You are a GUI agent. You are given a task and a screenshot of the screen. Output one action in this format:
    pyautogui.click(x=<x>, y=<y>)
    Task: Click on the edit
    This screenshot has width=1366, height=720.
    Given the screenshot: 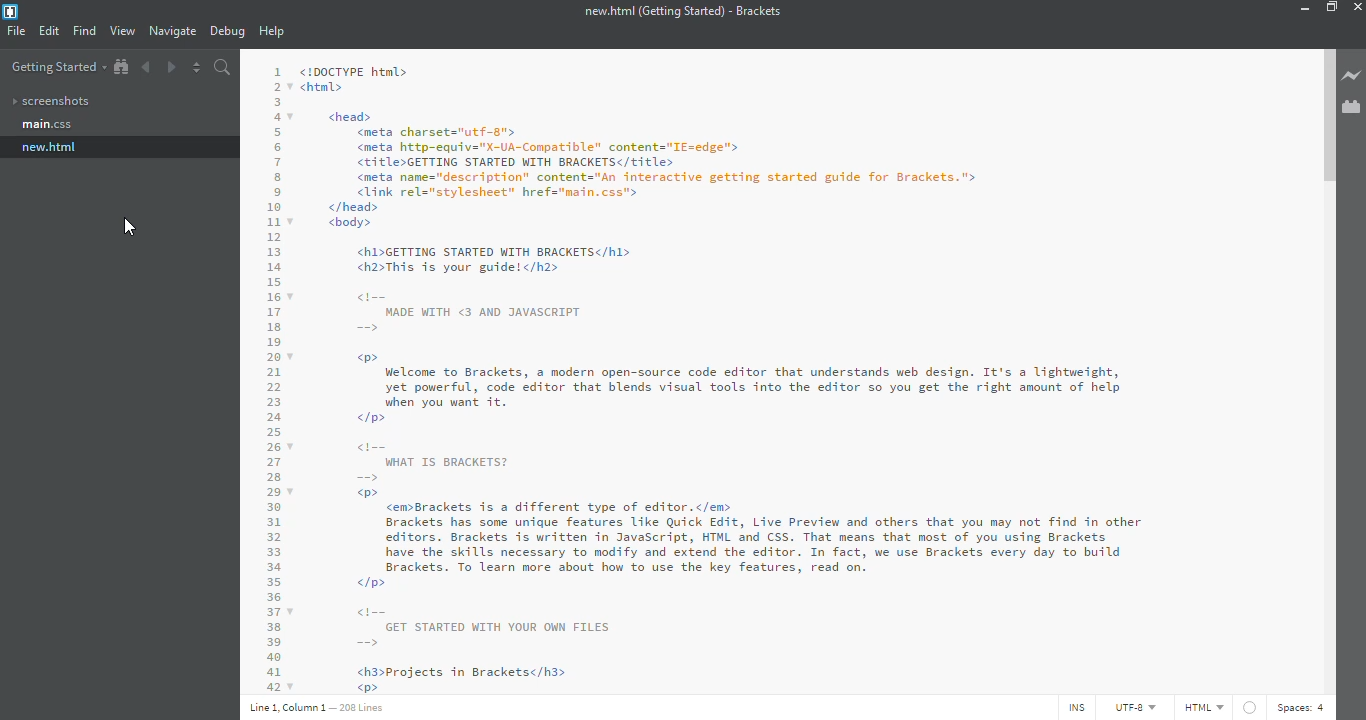 What is the action you would take?
    pyautogui.click(x=49, y=32)
    